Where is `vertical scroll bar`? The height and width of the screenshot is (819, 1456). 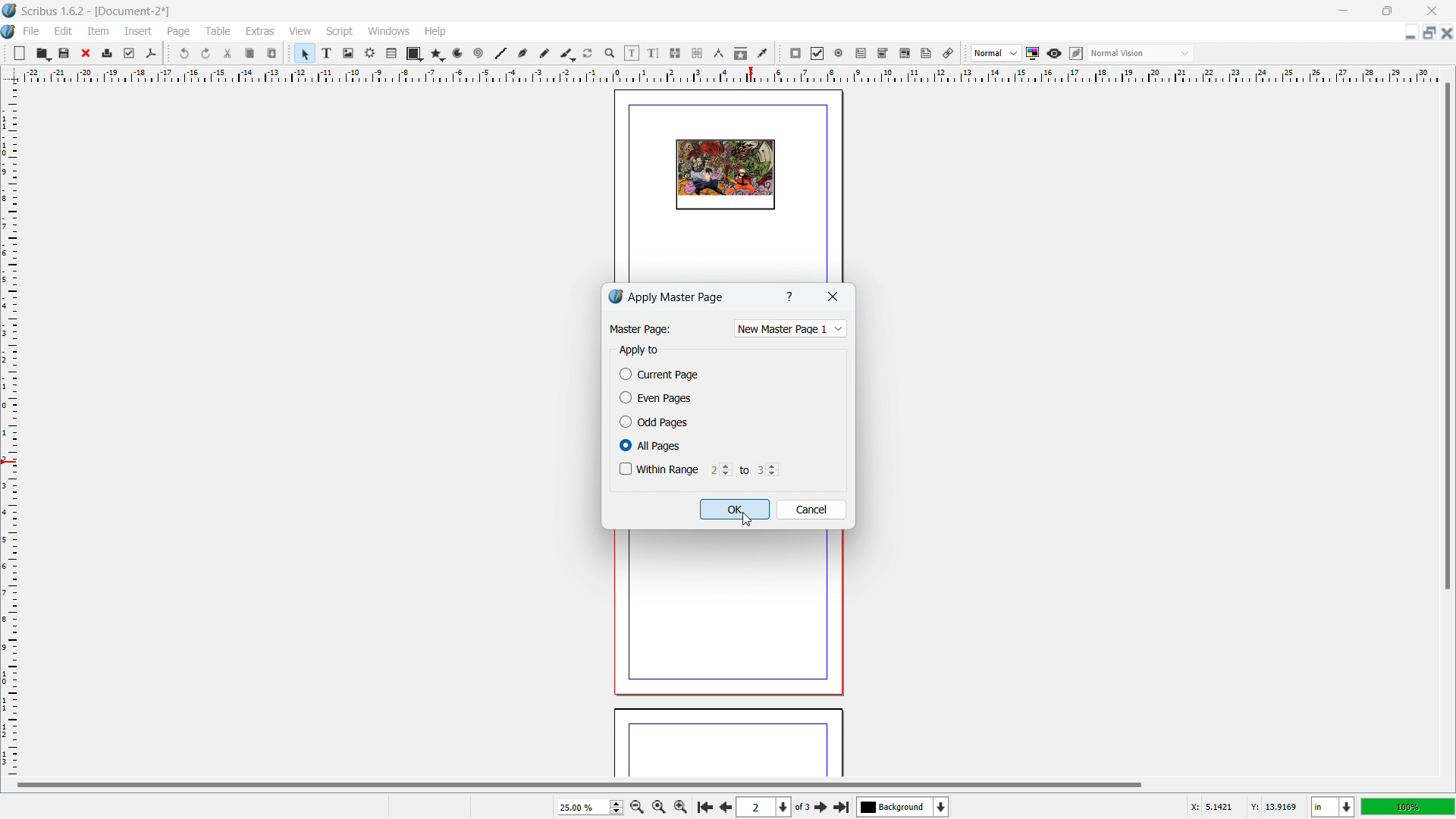
vertical scroll bar is located at coordinates (1445, 339).